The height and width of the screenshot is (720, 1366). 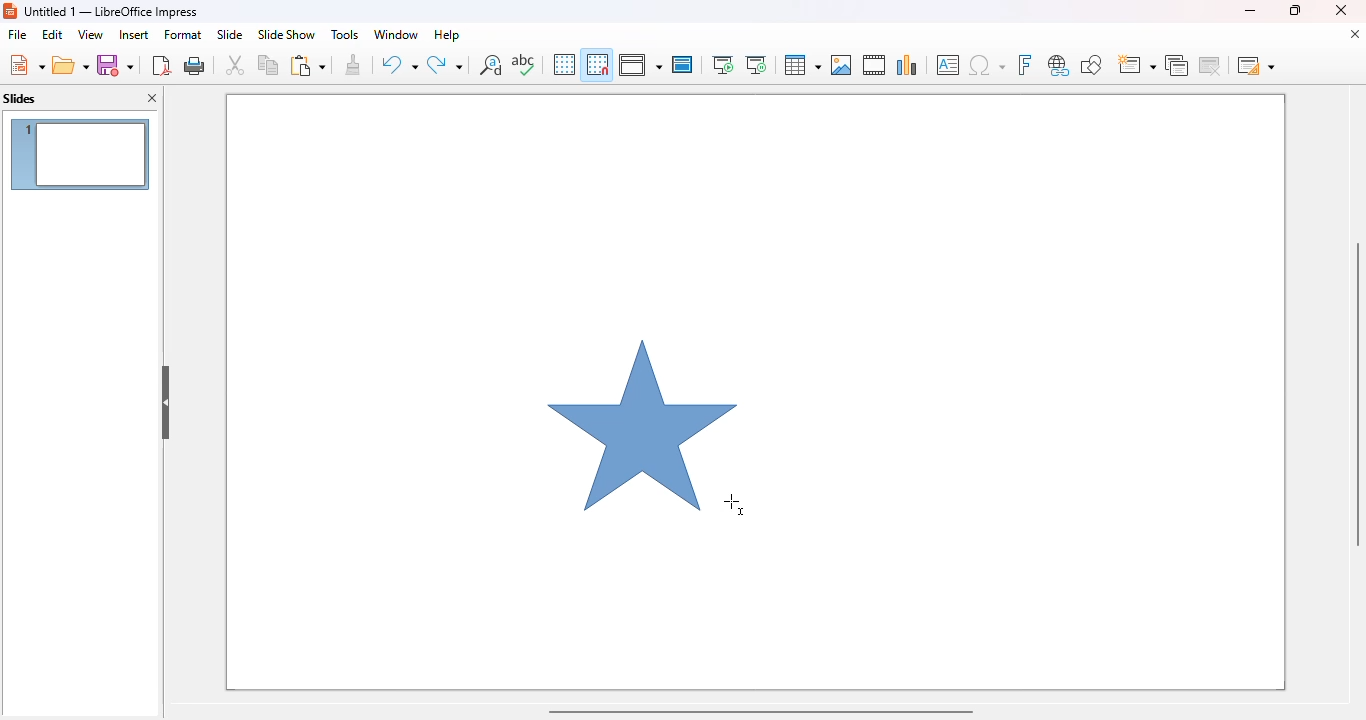 I want to click on format, so click(x=183, y=34).